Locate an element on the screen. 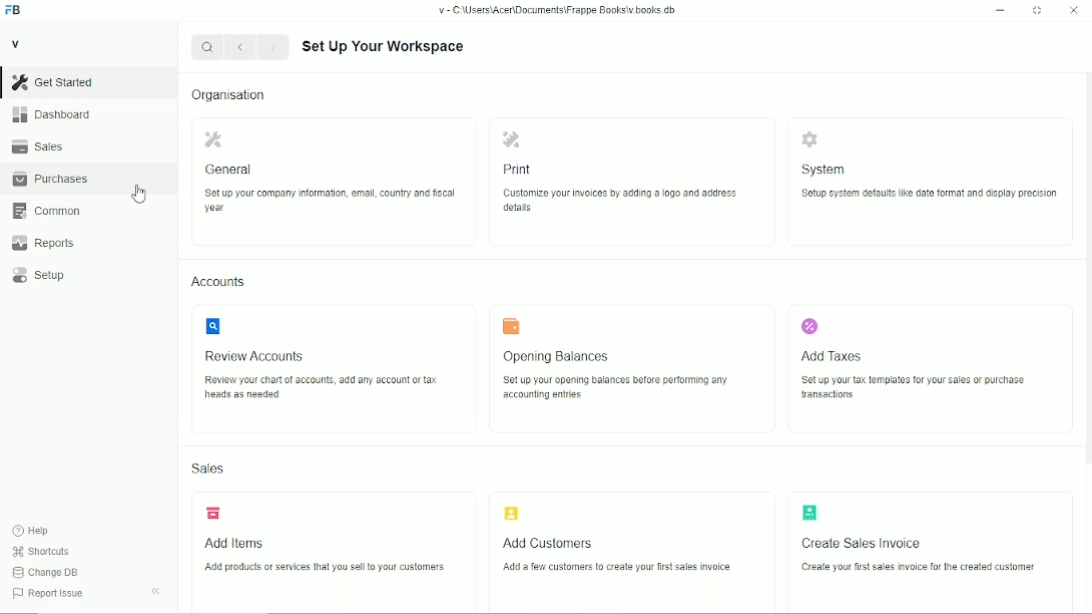 The height and width of the screenshot is (614, 1092). toggle sidebar is located at coordinates (157, 591).